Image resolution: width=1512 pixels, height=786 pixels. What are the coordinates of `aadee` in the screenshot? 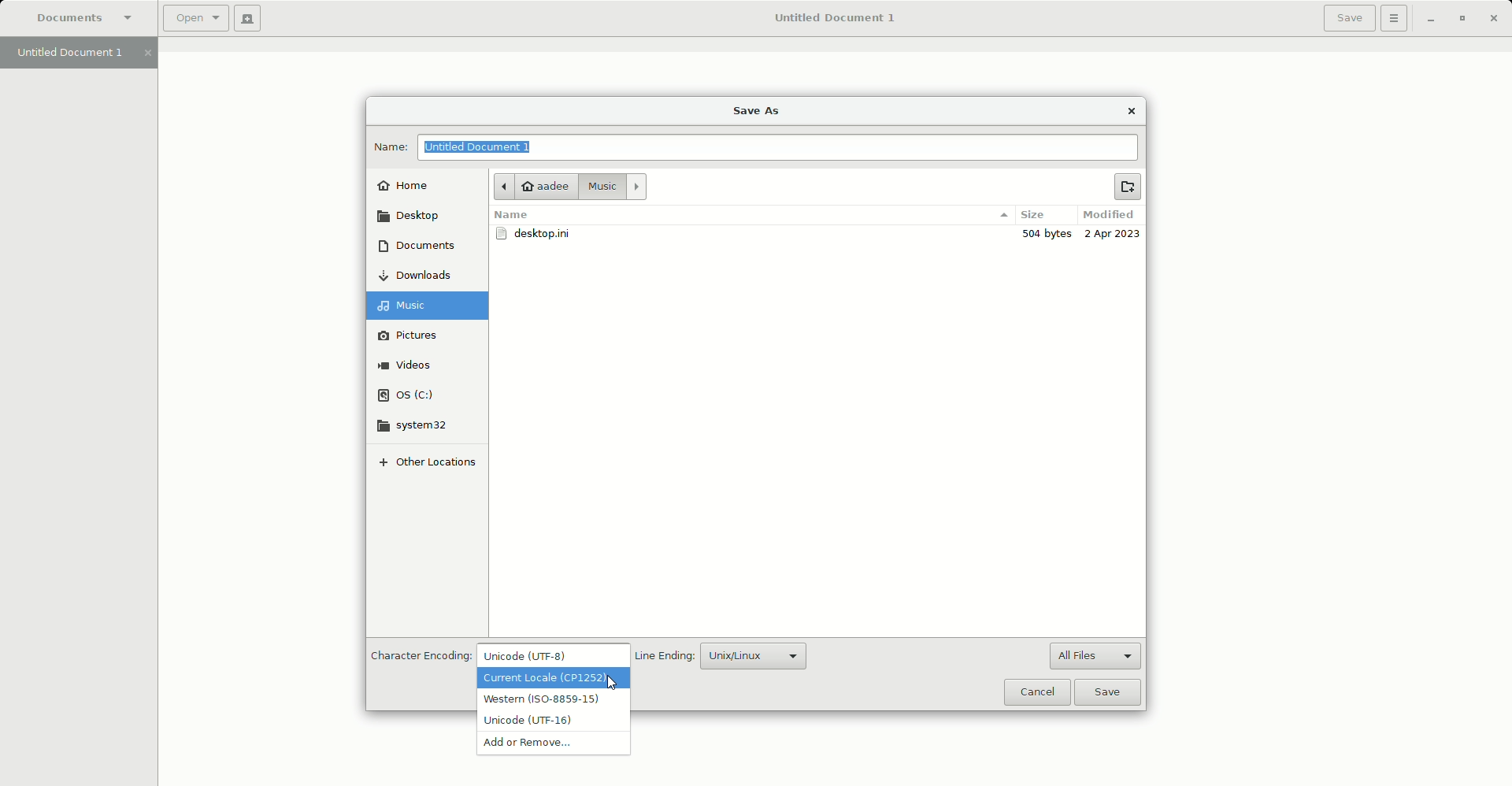 It's located at (535, 185).